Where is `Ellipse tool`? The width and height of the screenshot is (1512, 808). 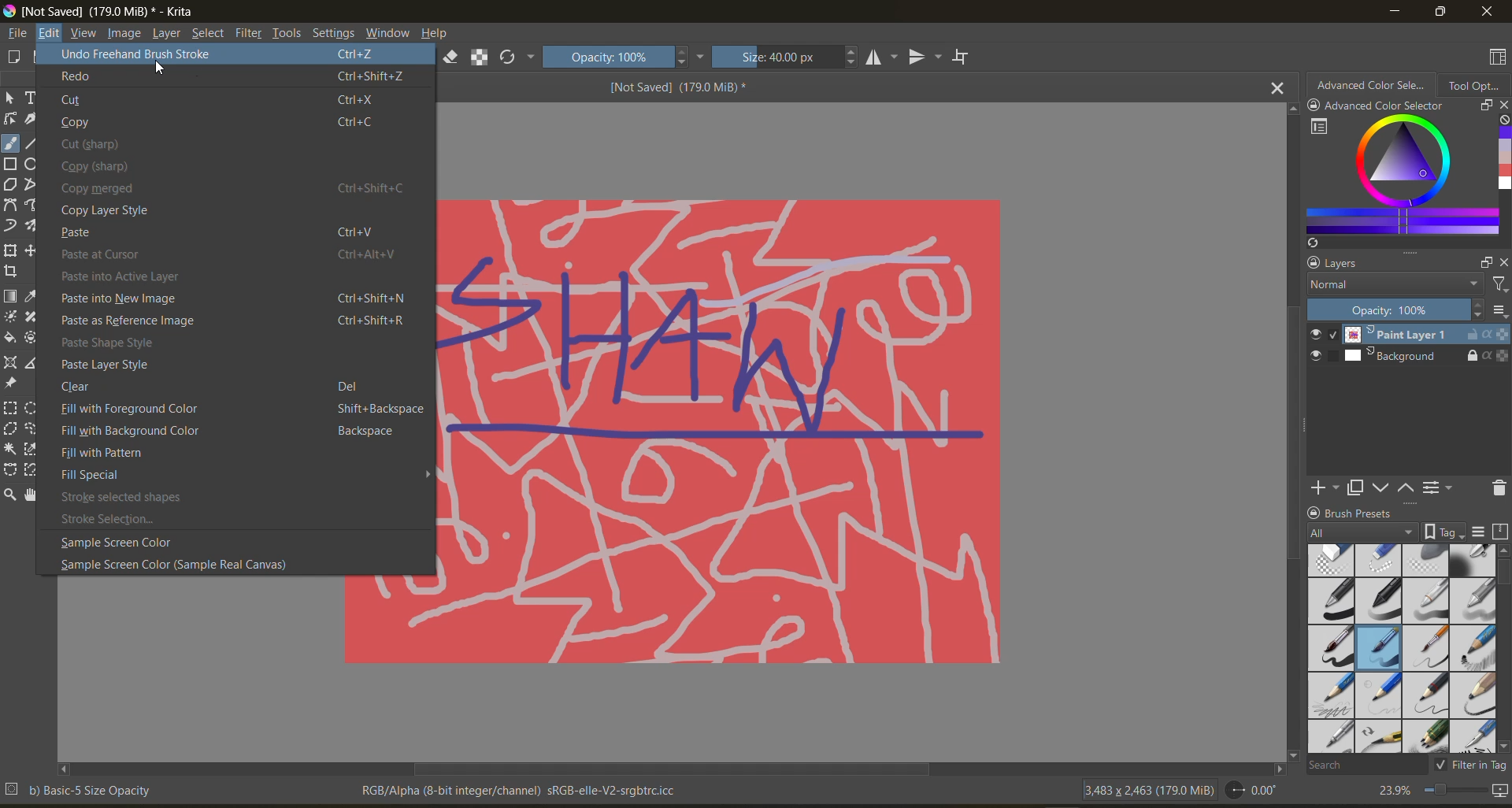
Ellipse tool is located at coordinates (33, 163).